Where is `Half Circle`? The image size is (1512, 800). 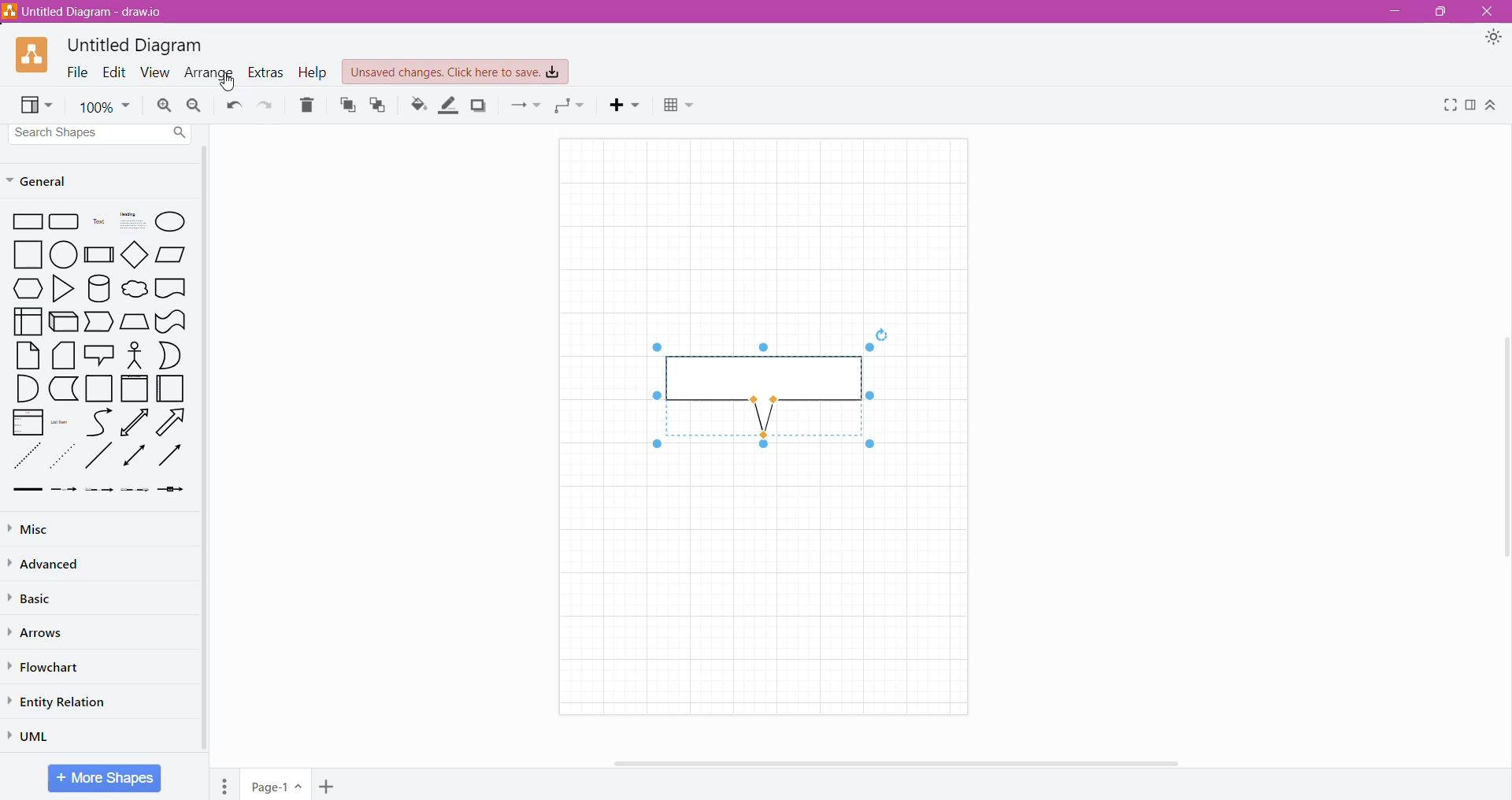 Half Circle is located at coordinates (172, 355).